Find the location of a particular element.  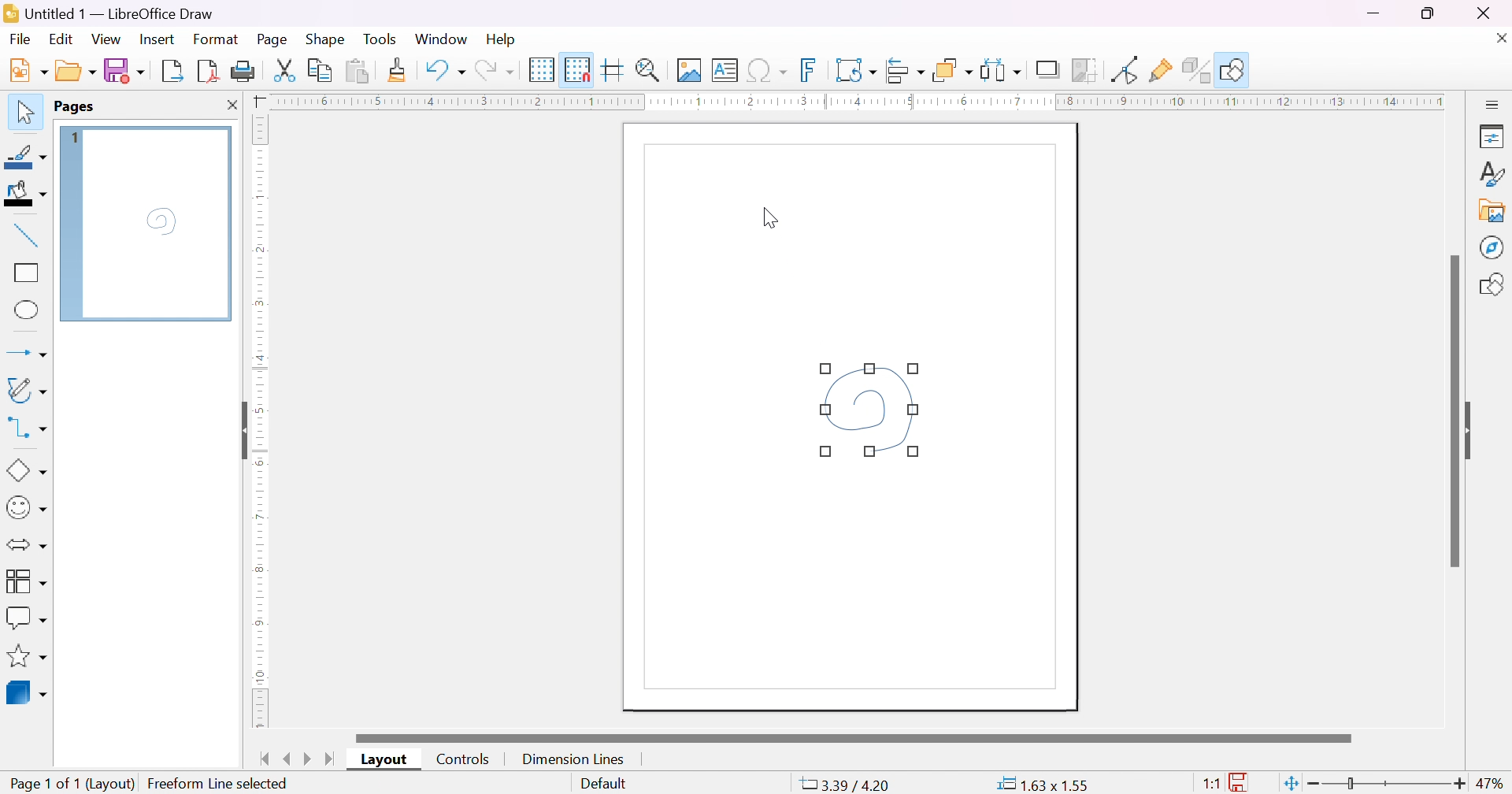

1:1 is located at coordinates (1213, 785).